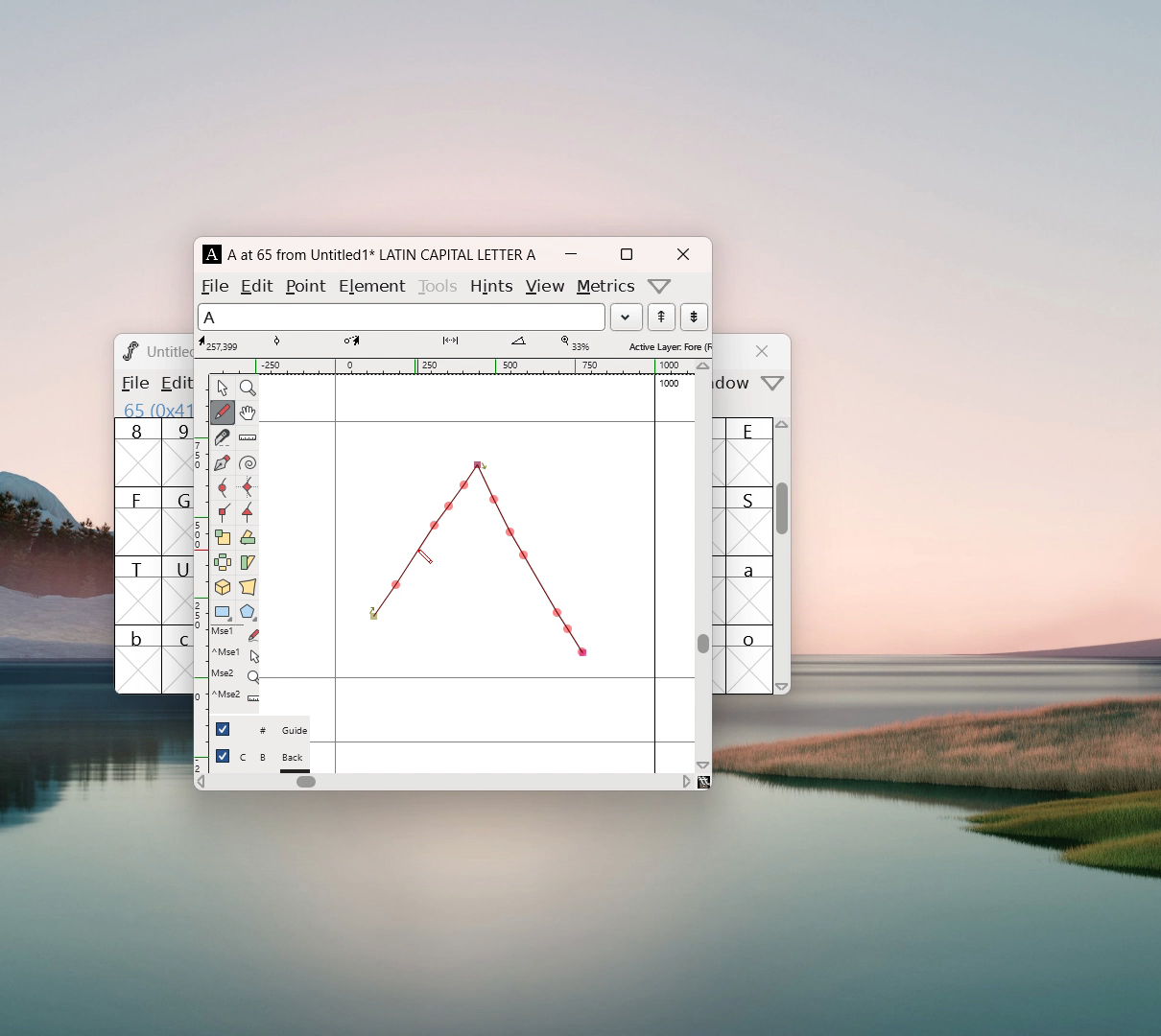 Image resolution: width=1161 pixels, height=1036 pixels. Describe the element at coordinates (682, 254) in the screenshot. I see `close` at that location.